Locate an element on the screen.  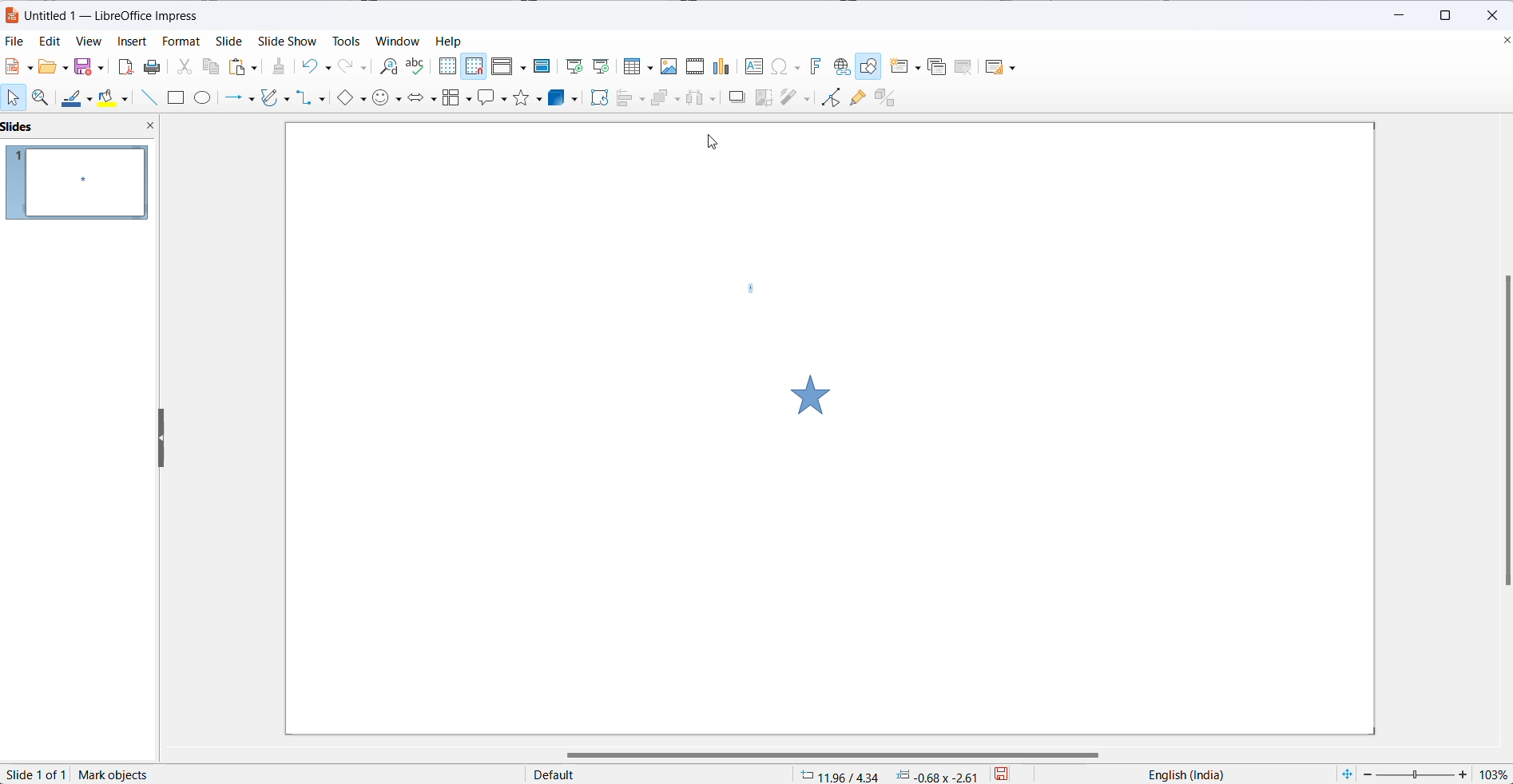
insert special characters is located at coordinates (785, 66).